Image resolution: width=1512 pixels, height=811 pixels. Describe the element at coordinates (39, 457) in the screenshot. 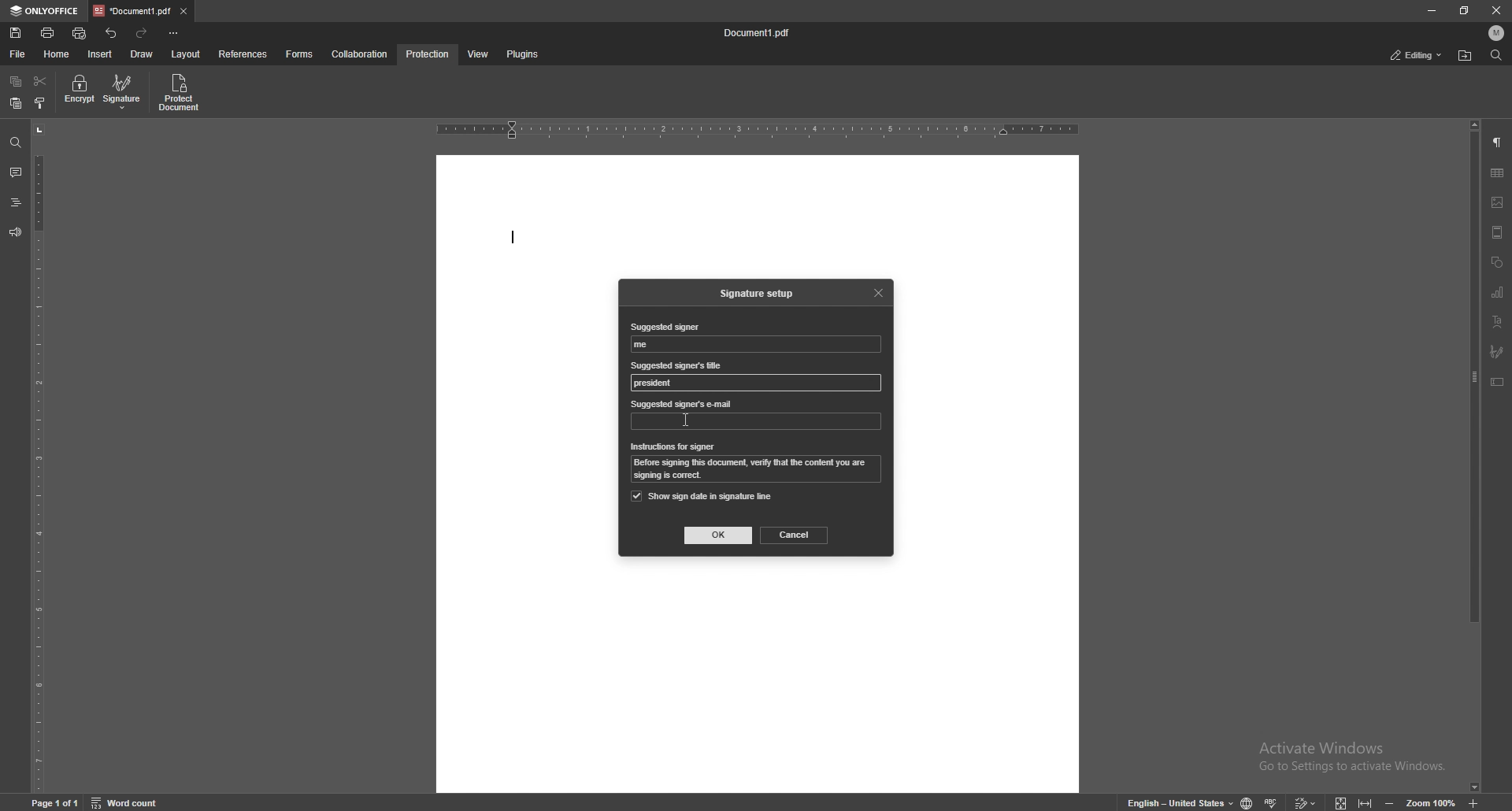

I see `vertical scale` at that location.